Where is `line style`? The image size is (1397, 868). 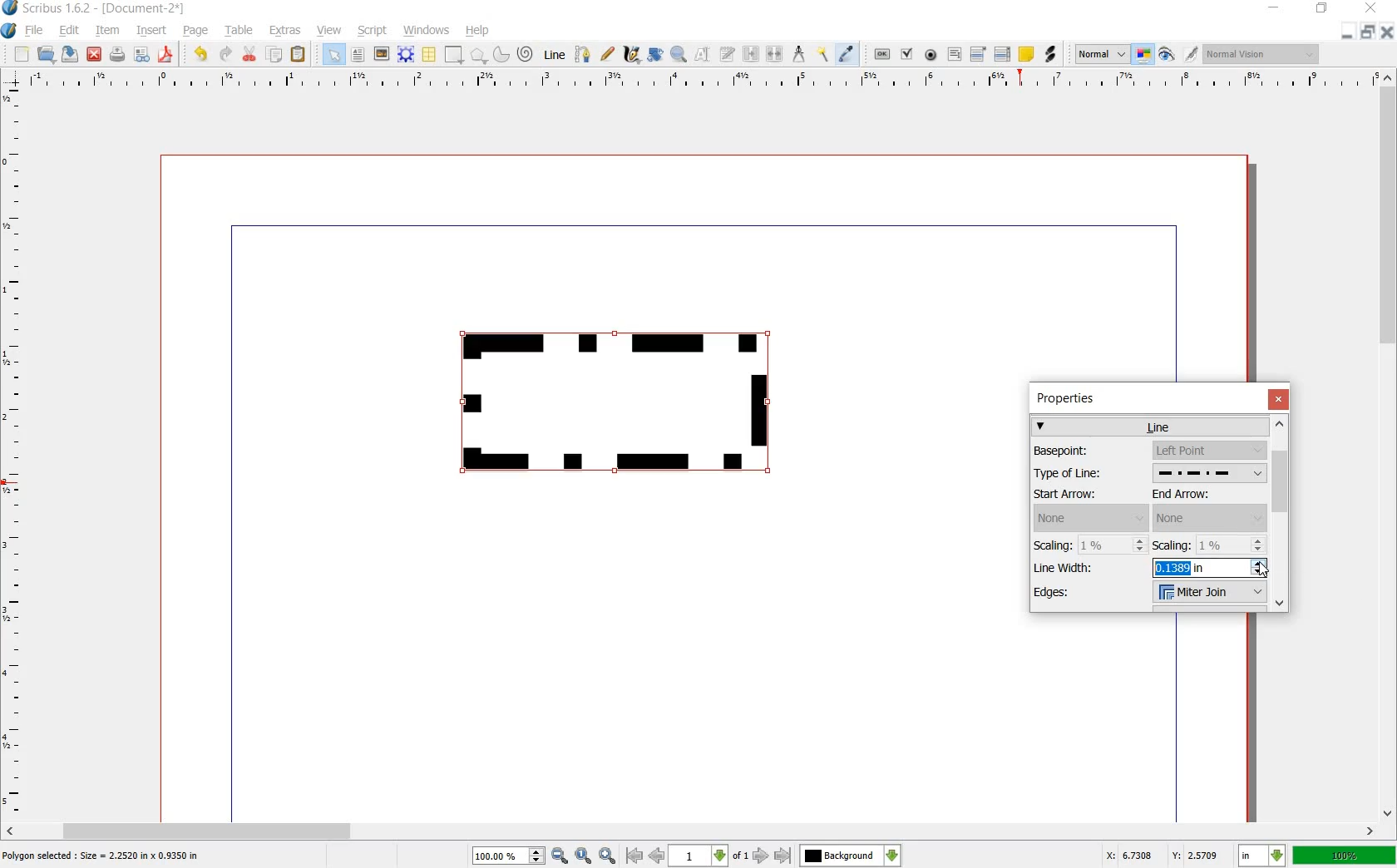 line style is located at coordinates (1207, 474).